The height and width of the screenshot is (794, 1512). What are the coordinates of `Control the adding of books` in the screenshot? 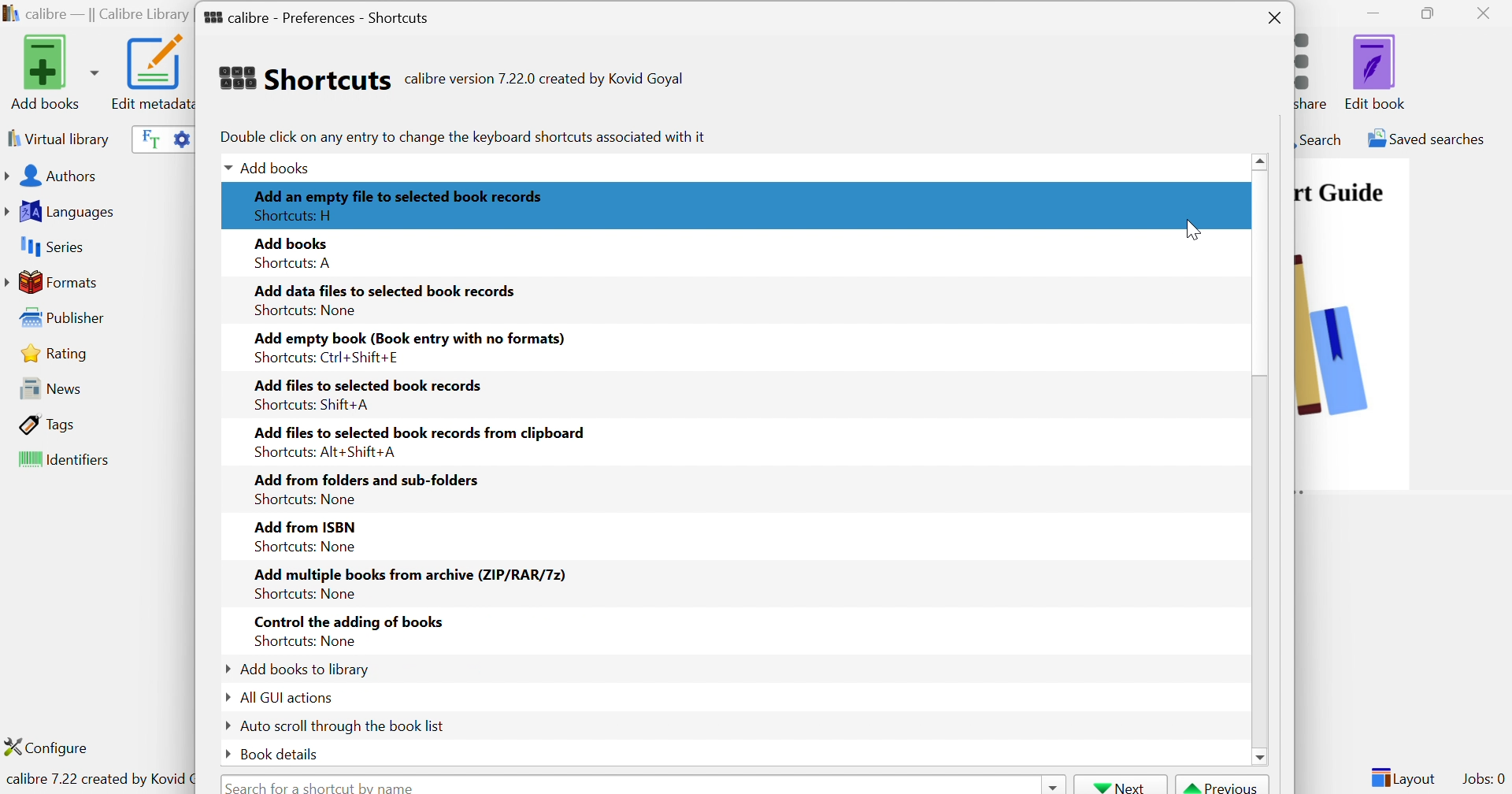 It's located at (347, 622).